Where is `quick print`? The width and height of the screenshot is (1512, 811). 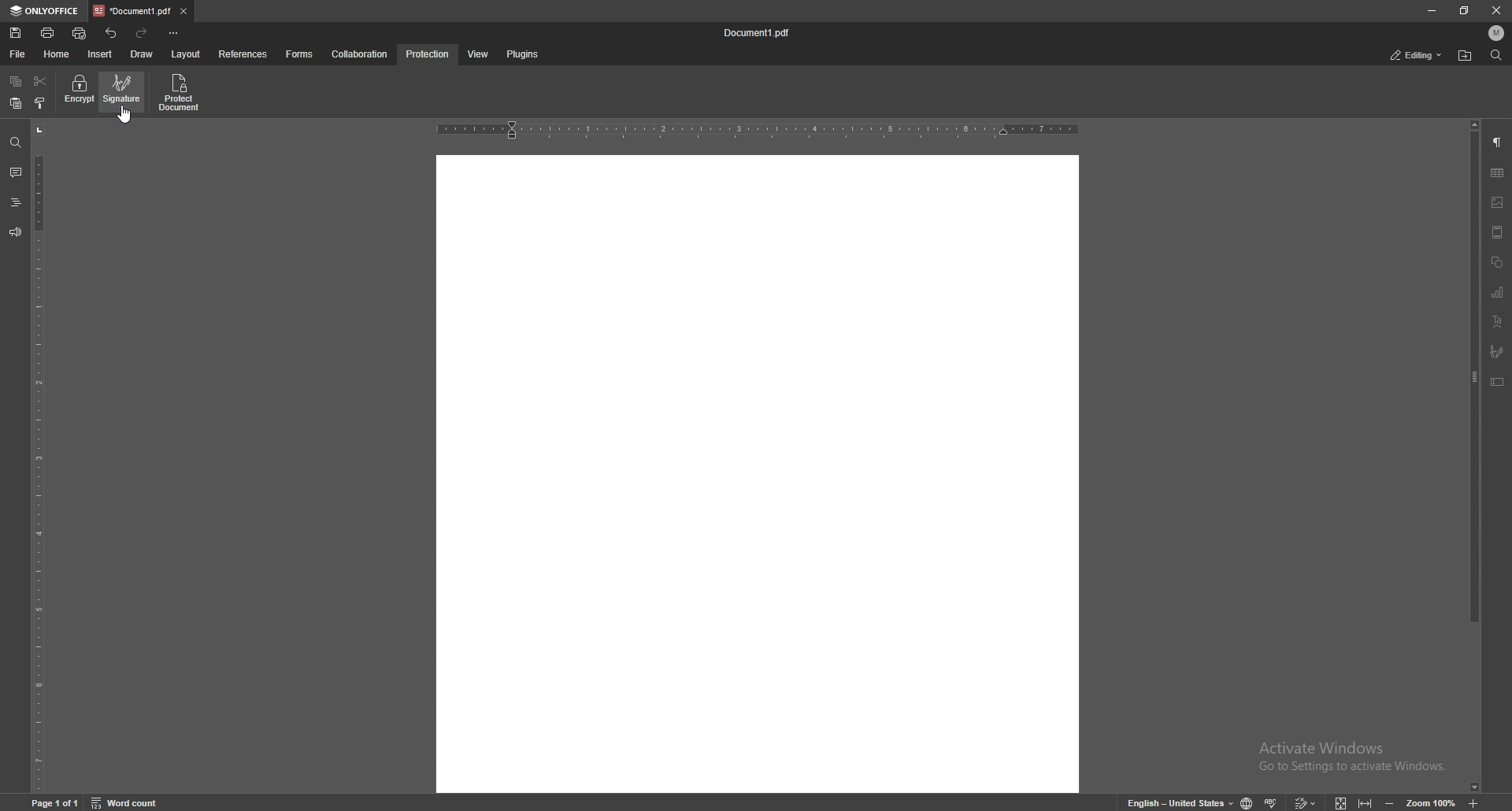
quick print is located at coordinates (80, 35).